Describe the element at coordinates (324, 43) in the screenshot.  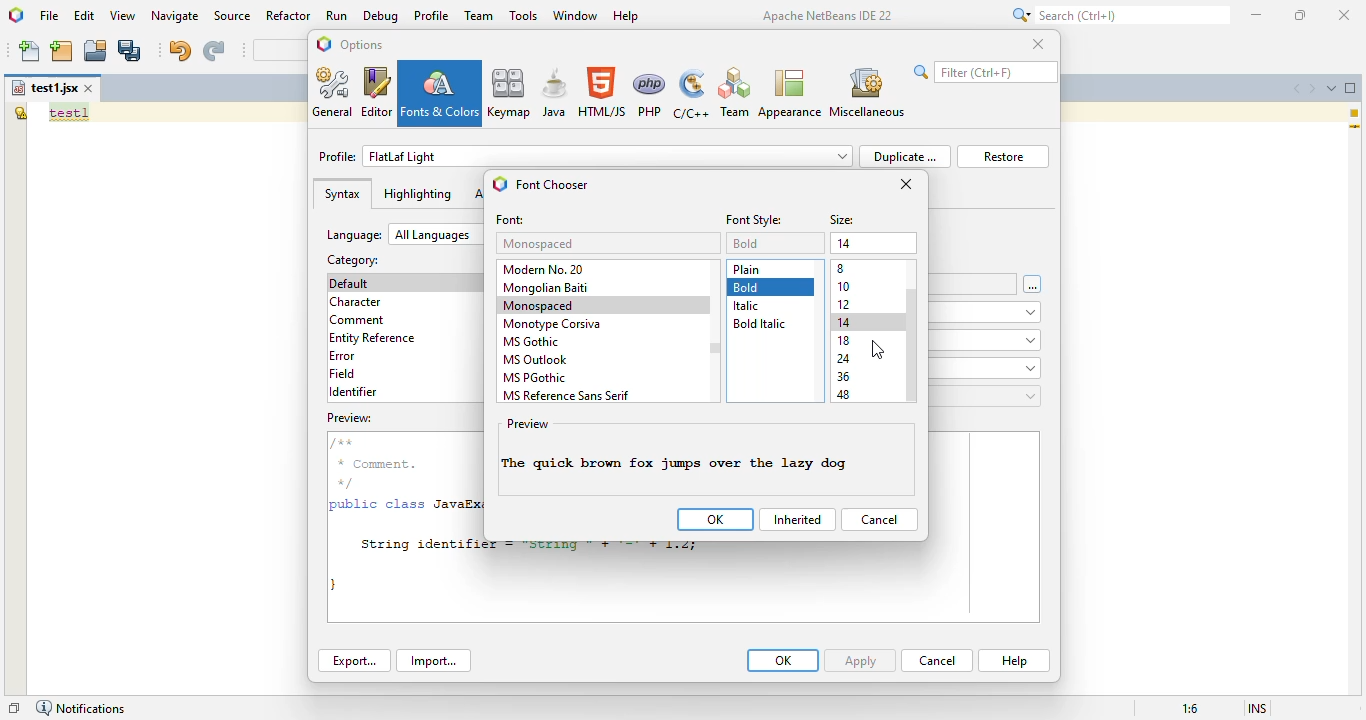
I see `logo` at that location.